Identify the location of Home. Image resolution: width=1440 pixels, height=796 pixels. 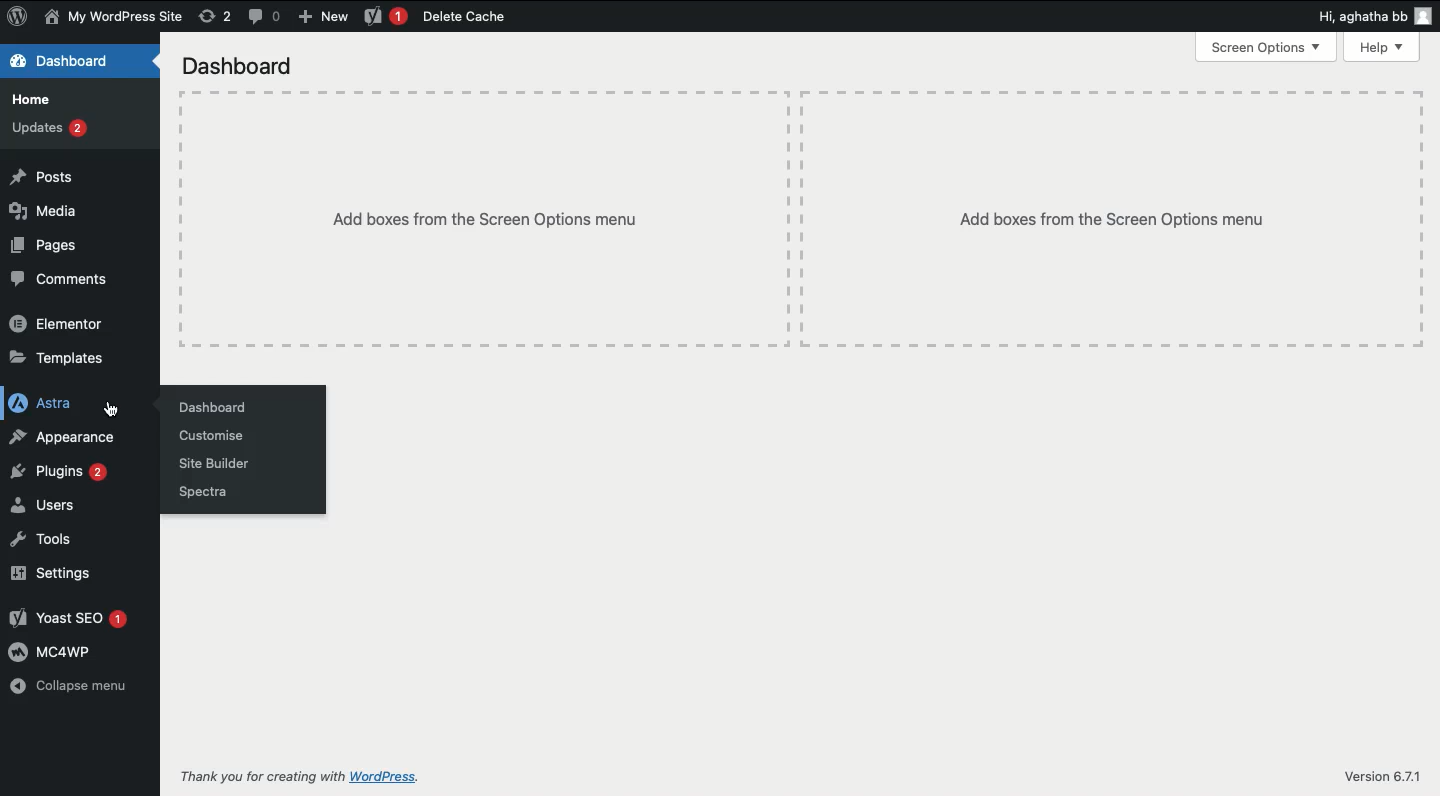
(31, 100).